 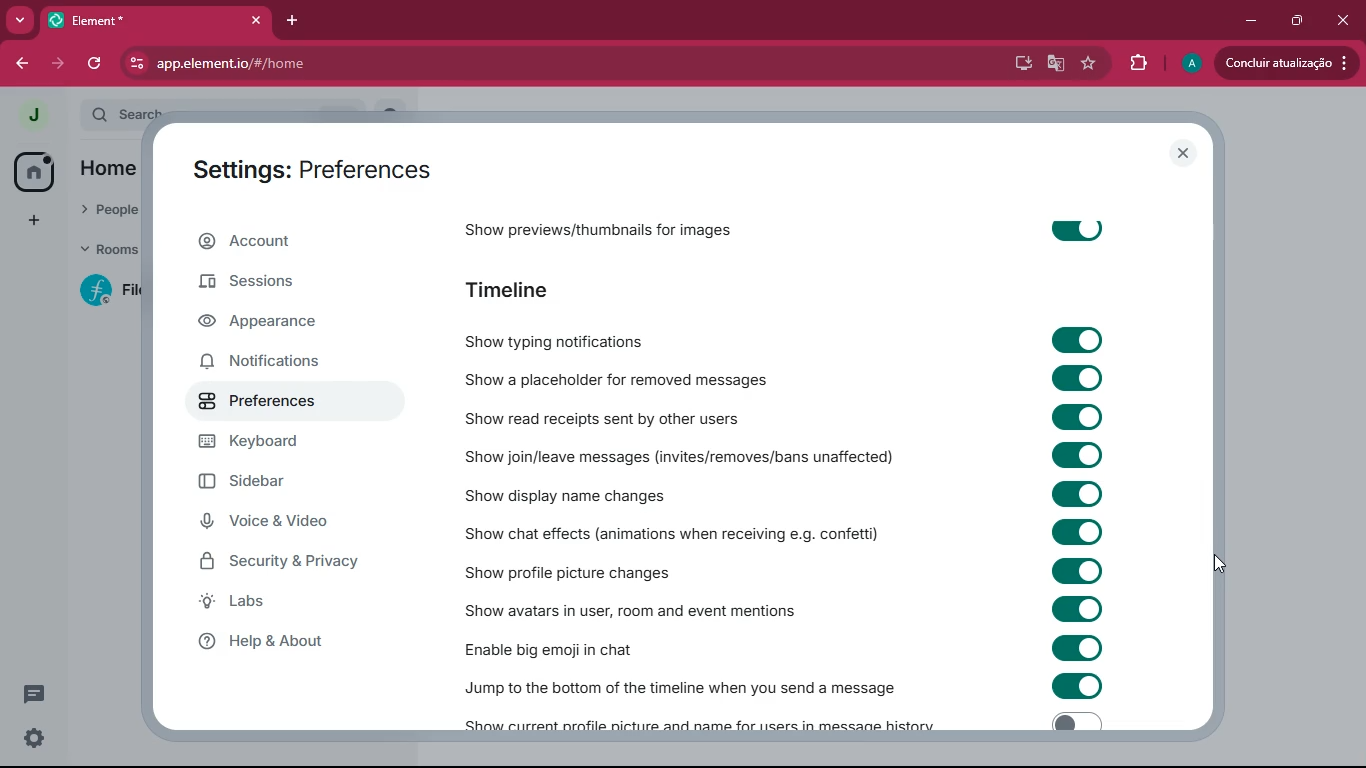 What do you see at coordinates (1077, 417) in the screenshot?
I see `toggle on ` at bounding box center [1077, 417].